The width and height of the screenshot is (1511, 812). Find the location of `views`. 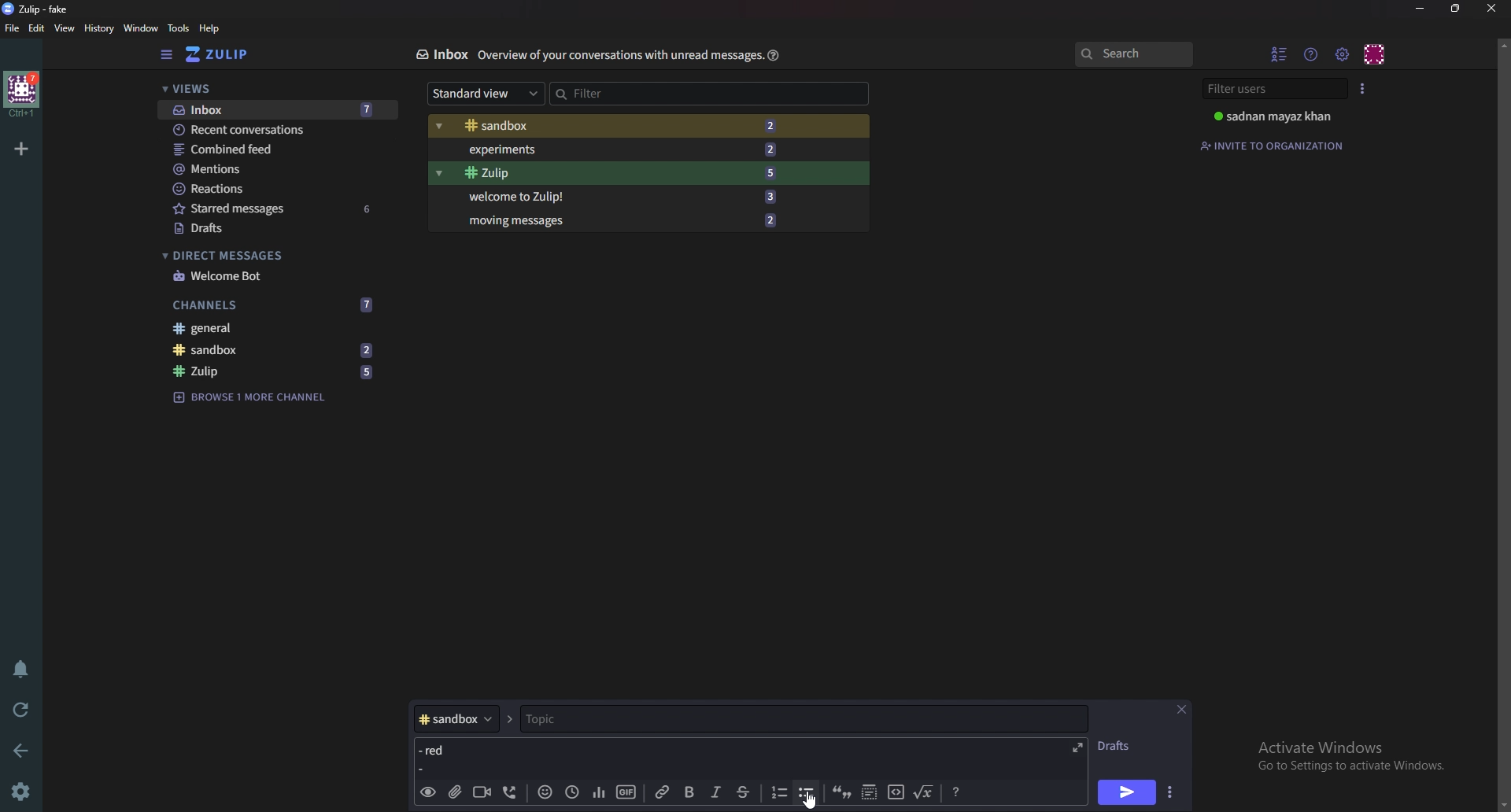

views is located at coordinates (277, 90).